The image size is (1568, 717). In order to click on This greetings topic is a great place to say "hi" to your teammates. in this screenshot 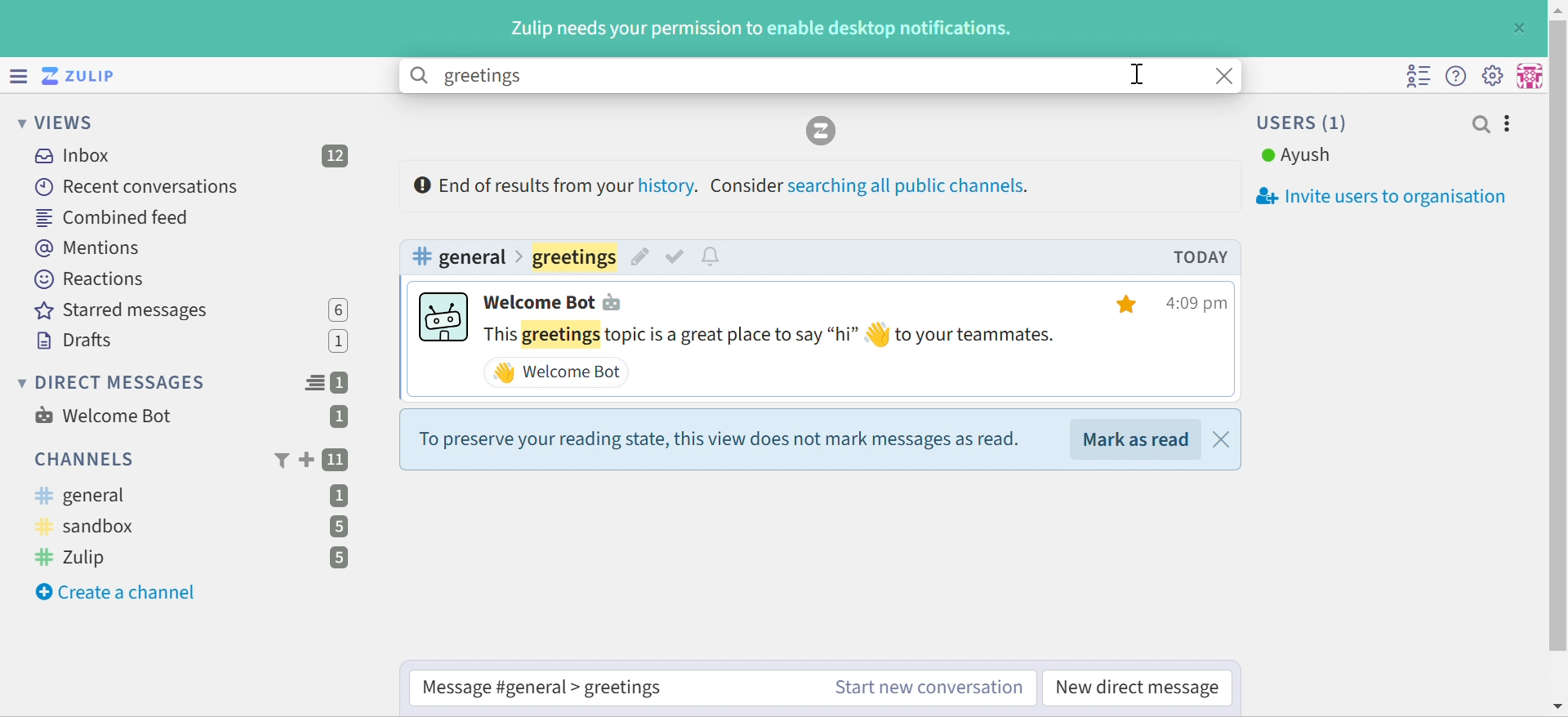, I will do `click(773, 336)`.